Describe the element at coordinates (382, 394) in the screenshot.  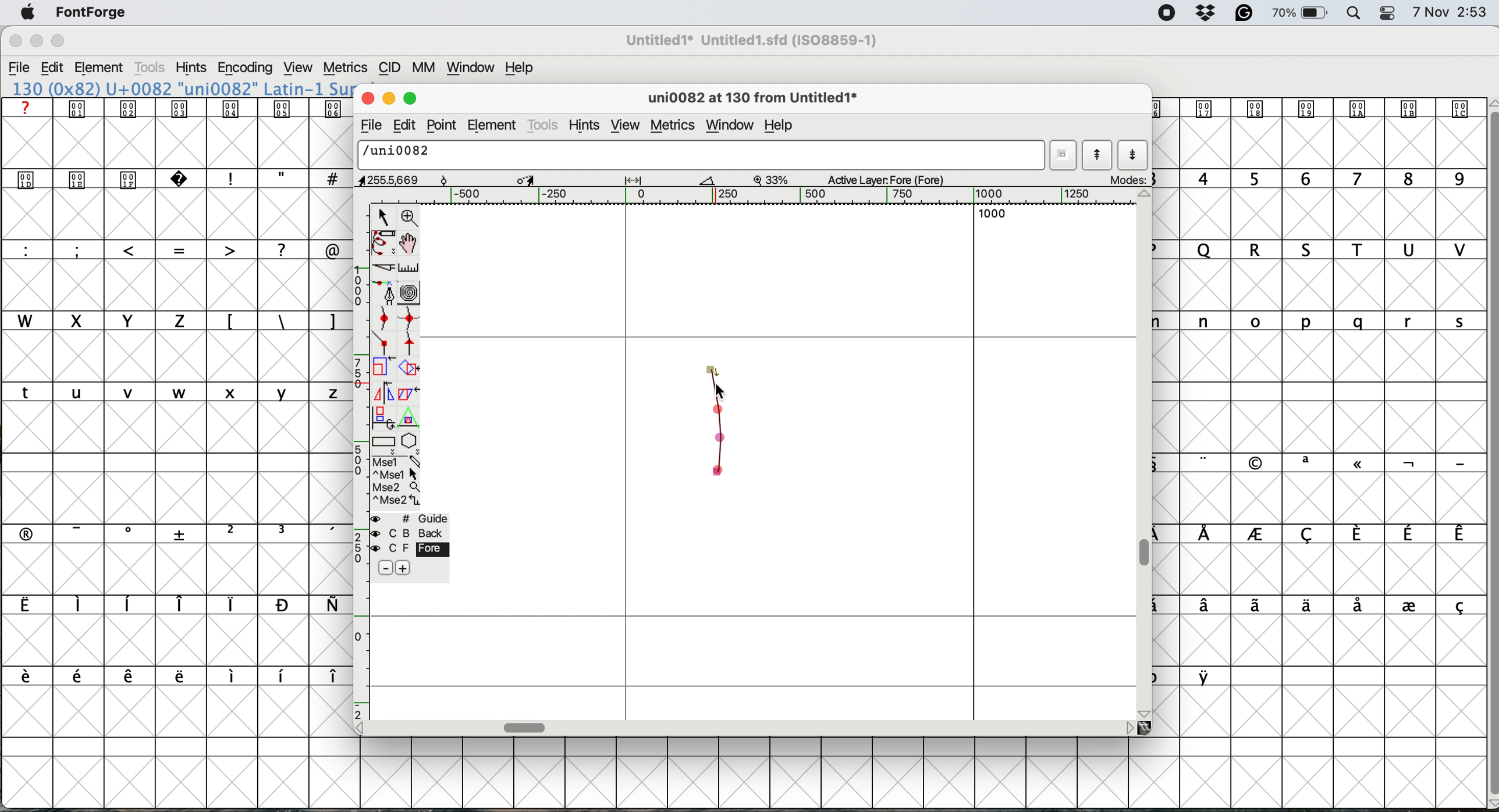
I see `flip selection` at that location.